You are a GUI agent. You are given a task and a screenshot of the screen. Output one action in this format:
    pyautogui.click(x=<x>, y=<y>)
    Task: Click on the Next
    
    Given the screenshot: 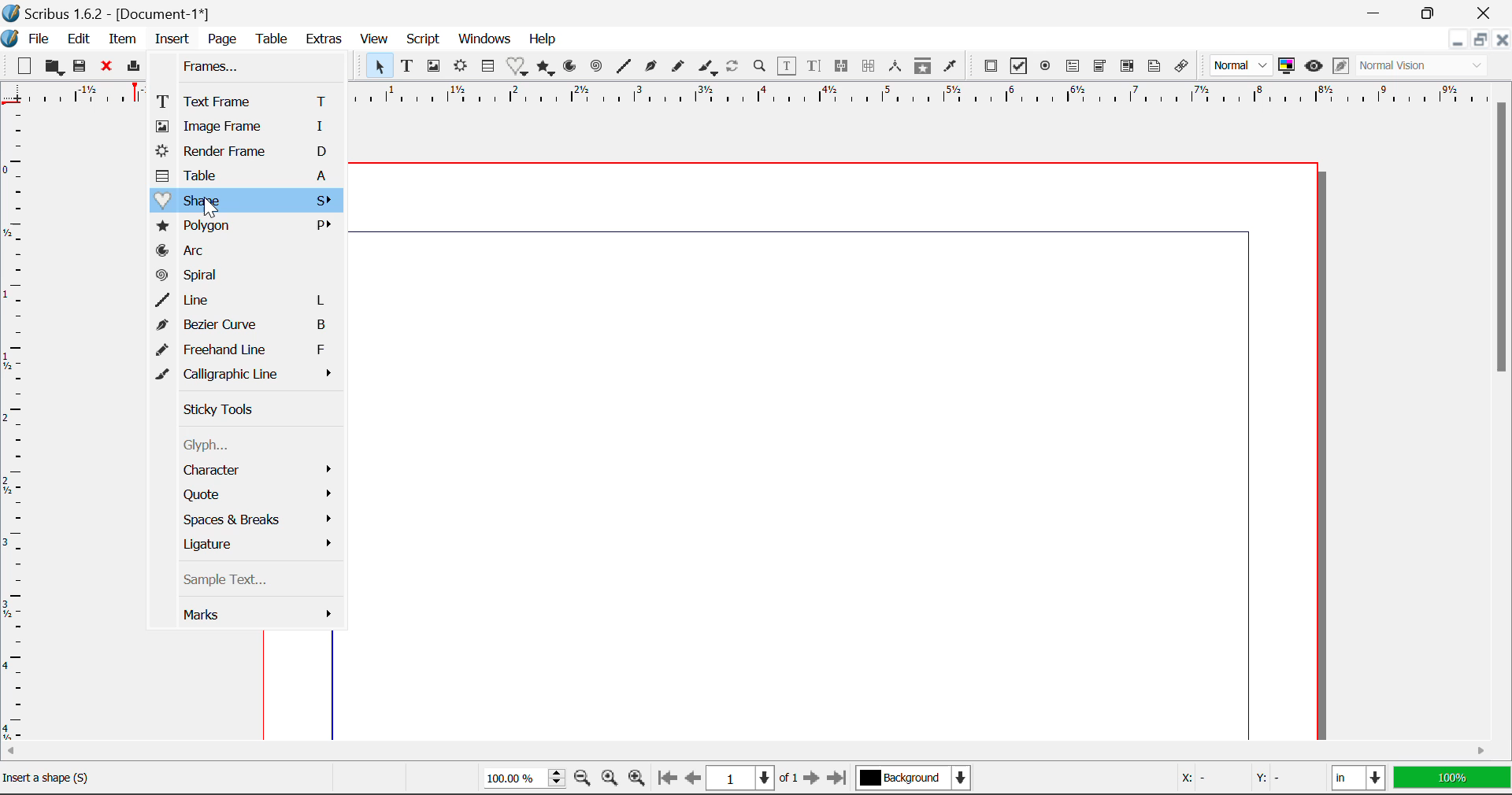 What is the action you would take?
    pyautogui.click(x=813, y=779)
    